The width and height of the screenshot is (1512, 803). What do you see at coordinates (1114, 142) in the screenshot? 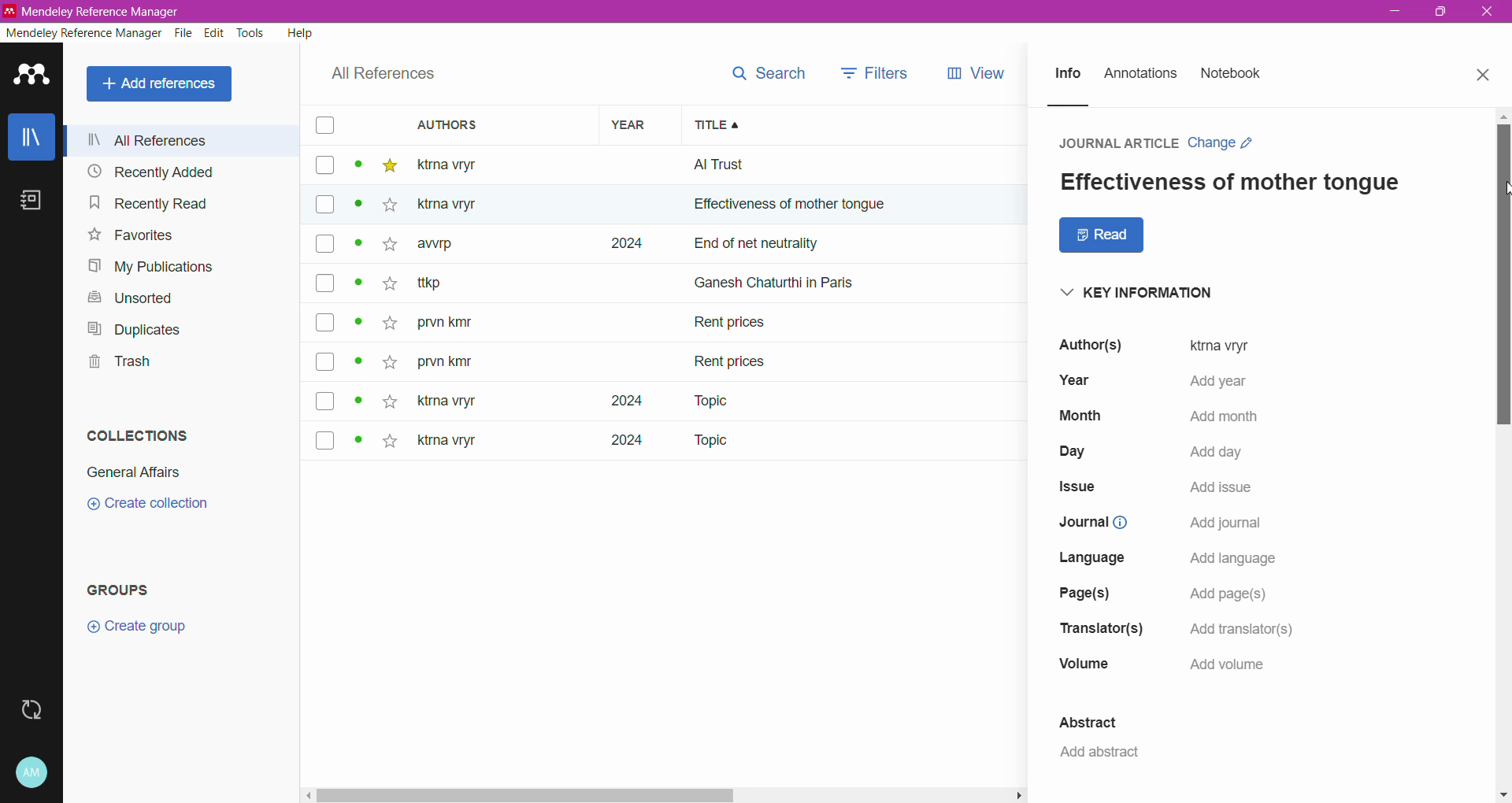
I see `Journal Article` at bounding box center [1114, 142].